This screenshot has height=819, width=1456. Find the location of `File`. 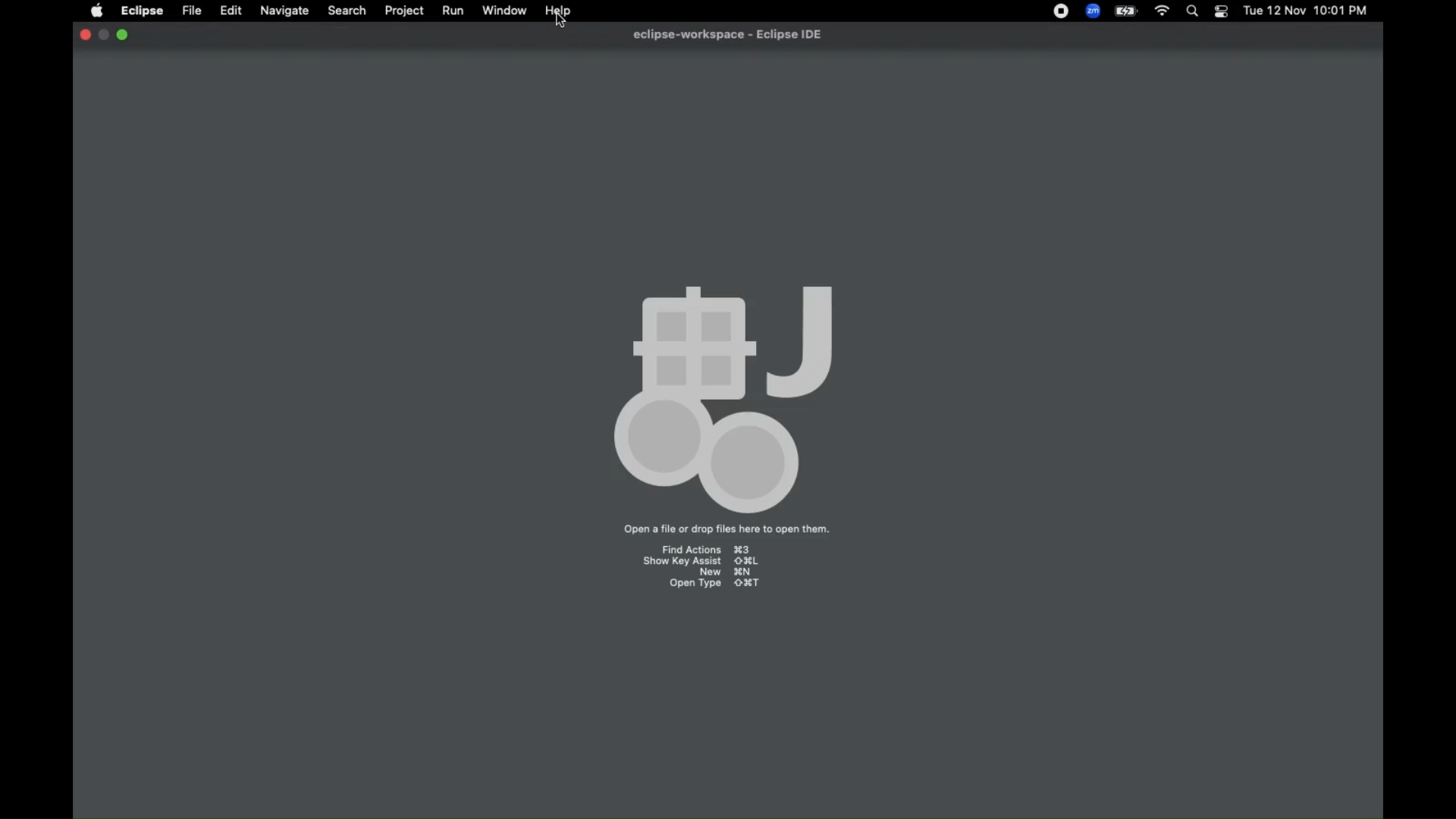

File is located at coordinates (192, 11).